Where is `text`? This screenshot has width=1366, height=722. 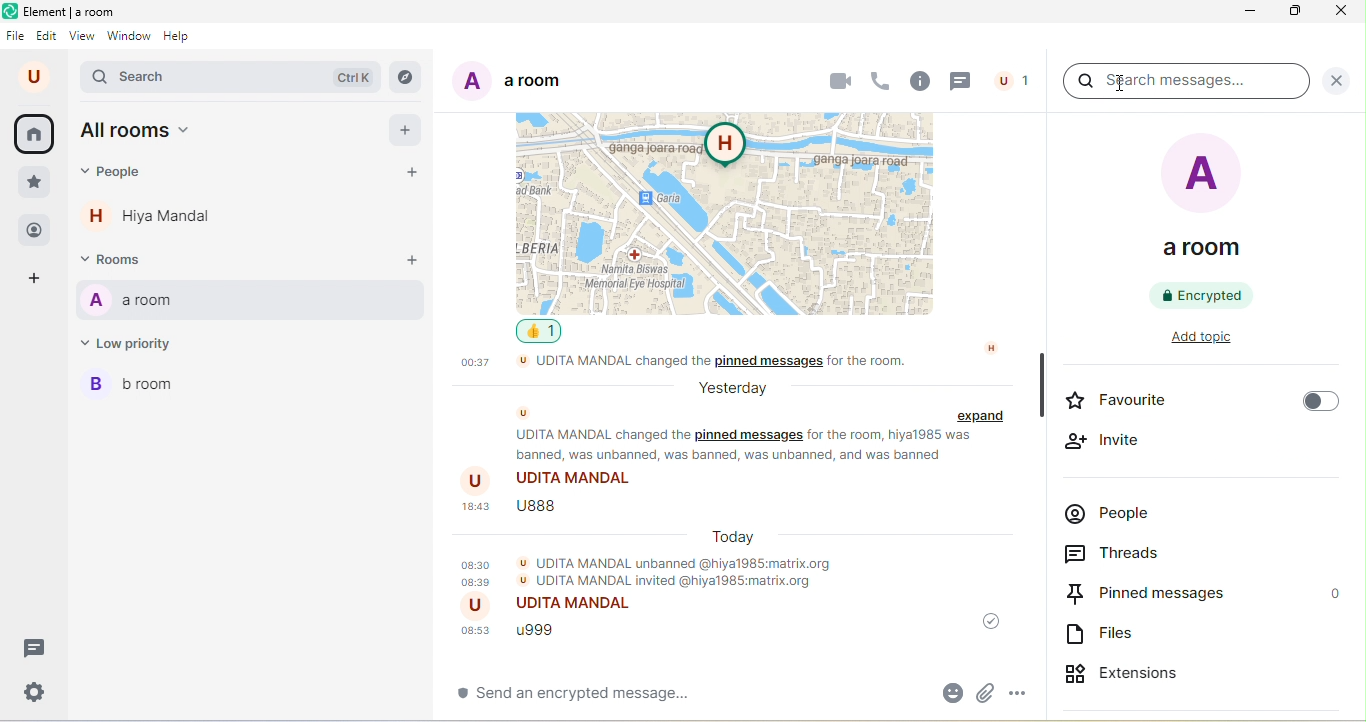
text is located at coordinates (748, 446).